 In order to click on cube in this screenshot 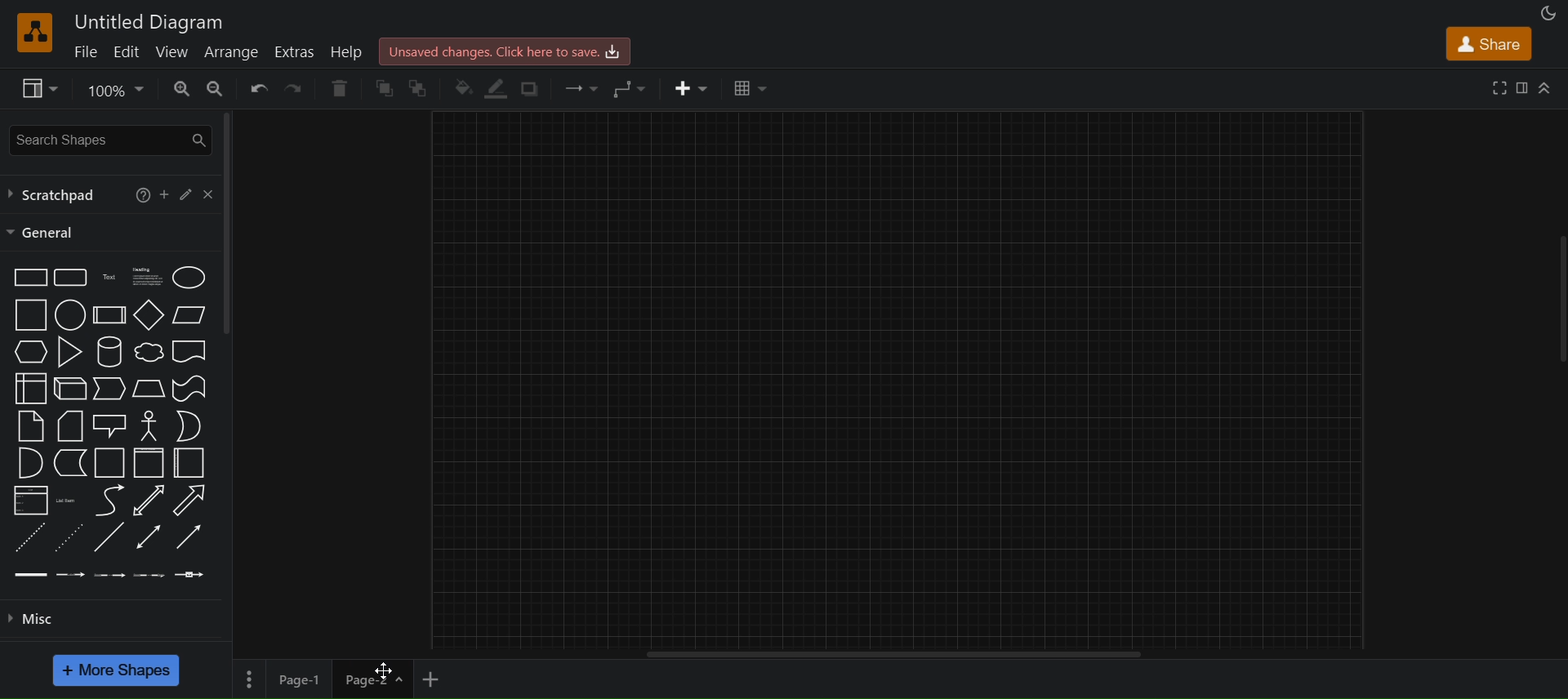, I will do `click(68, 389)`.